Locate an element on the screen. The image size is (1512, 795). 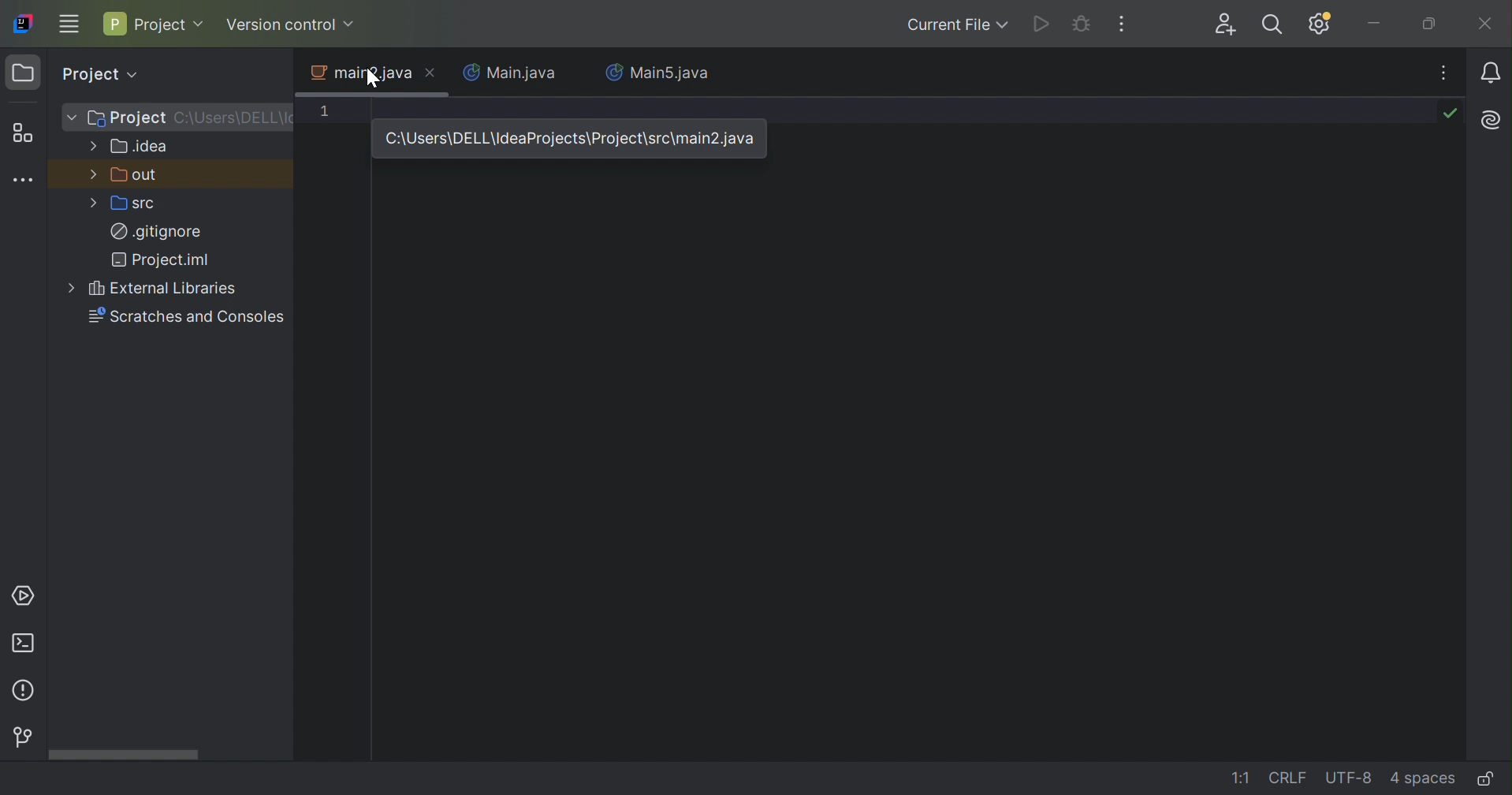
Close is located at coordinates (1482, 25).